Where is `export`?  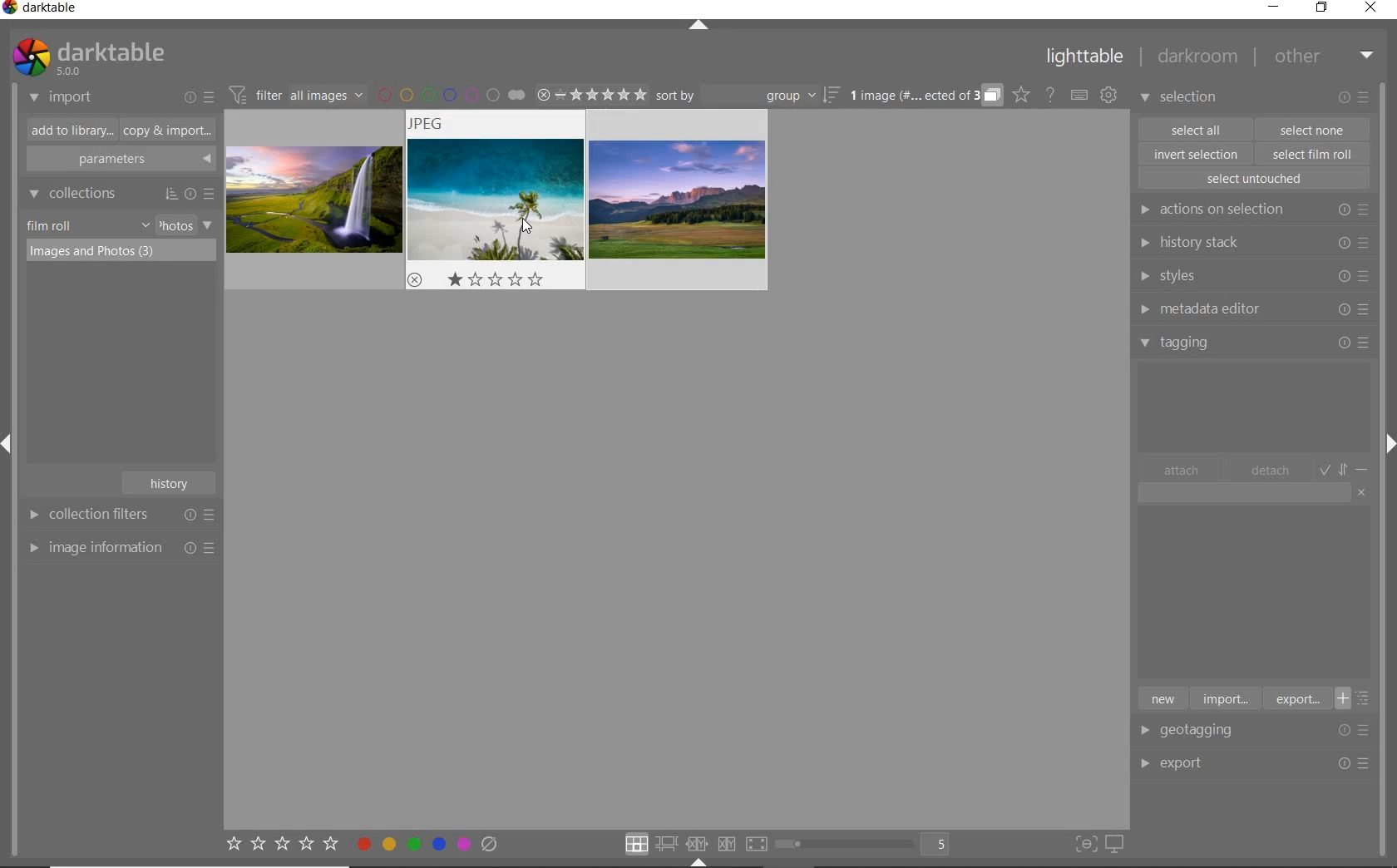
export is located at coordinates (1296, 698).